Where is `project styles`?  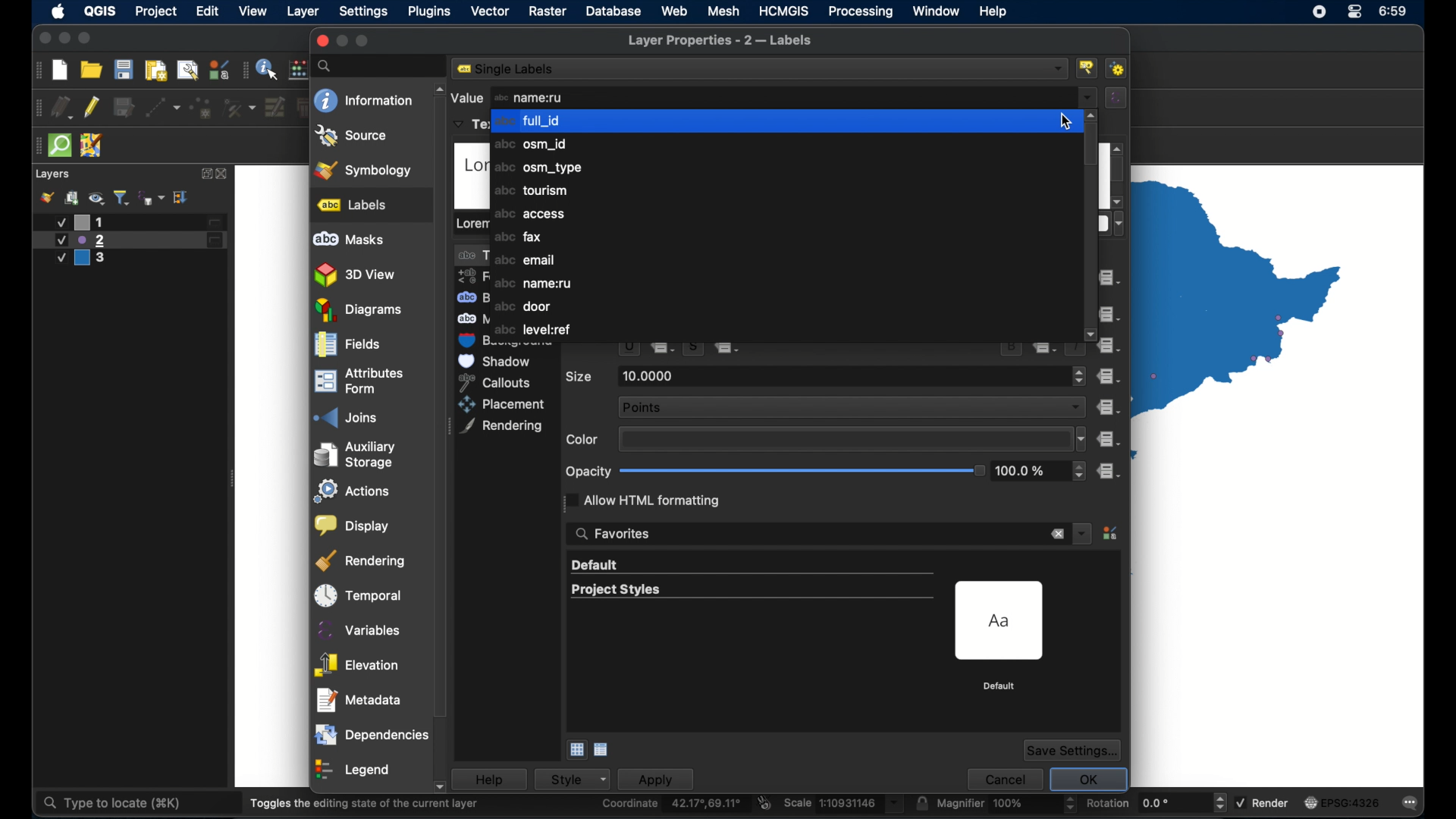 project styles is located at coordinates (614, 590).